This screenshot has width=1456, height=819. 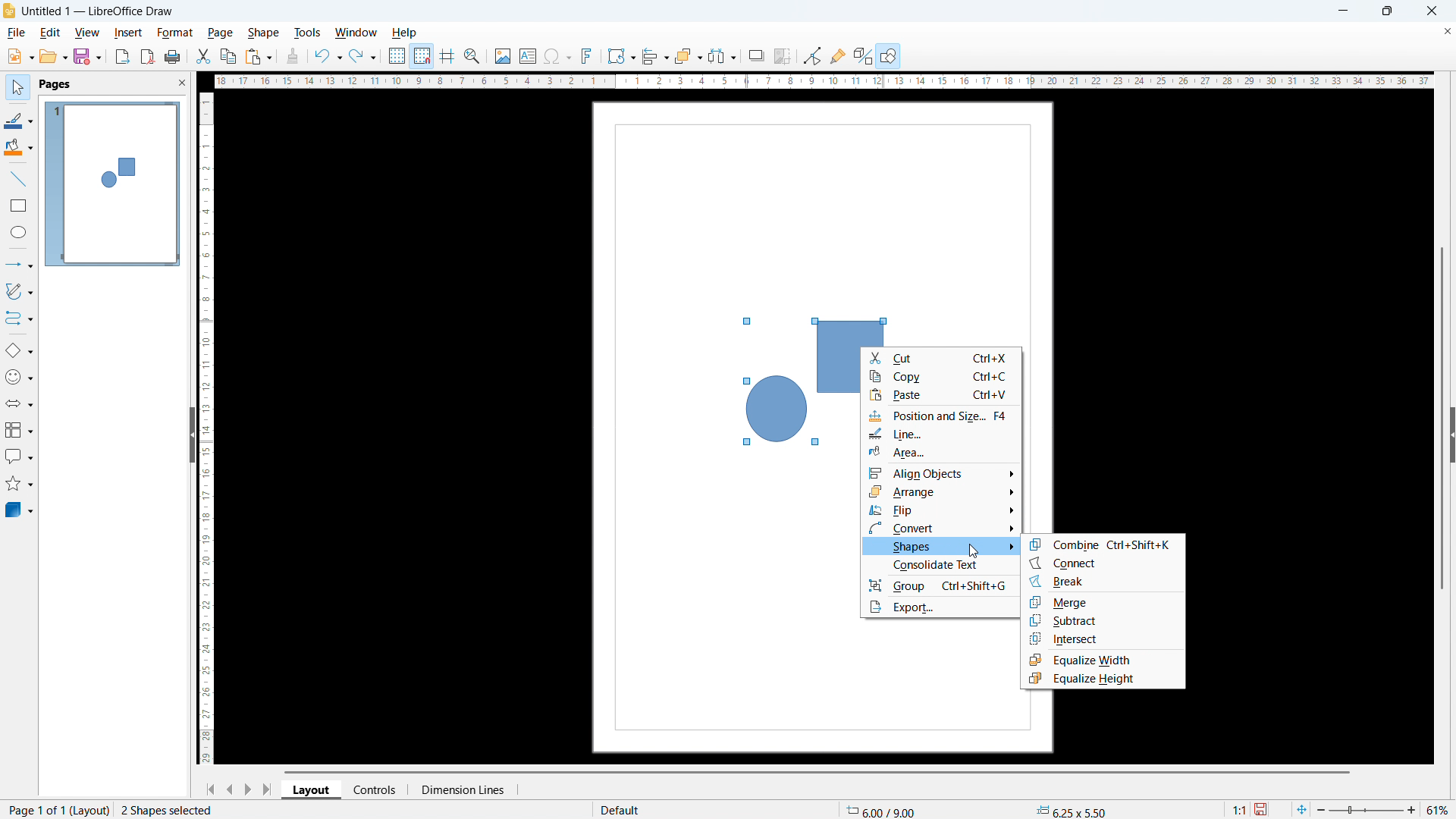 What do you see at coordinates (758, 56) in the screenshot?
I see `shadow` at bounding box center [758, 56].